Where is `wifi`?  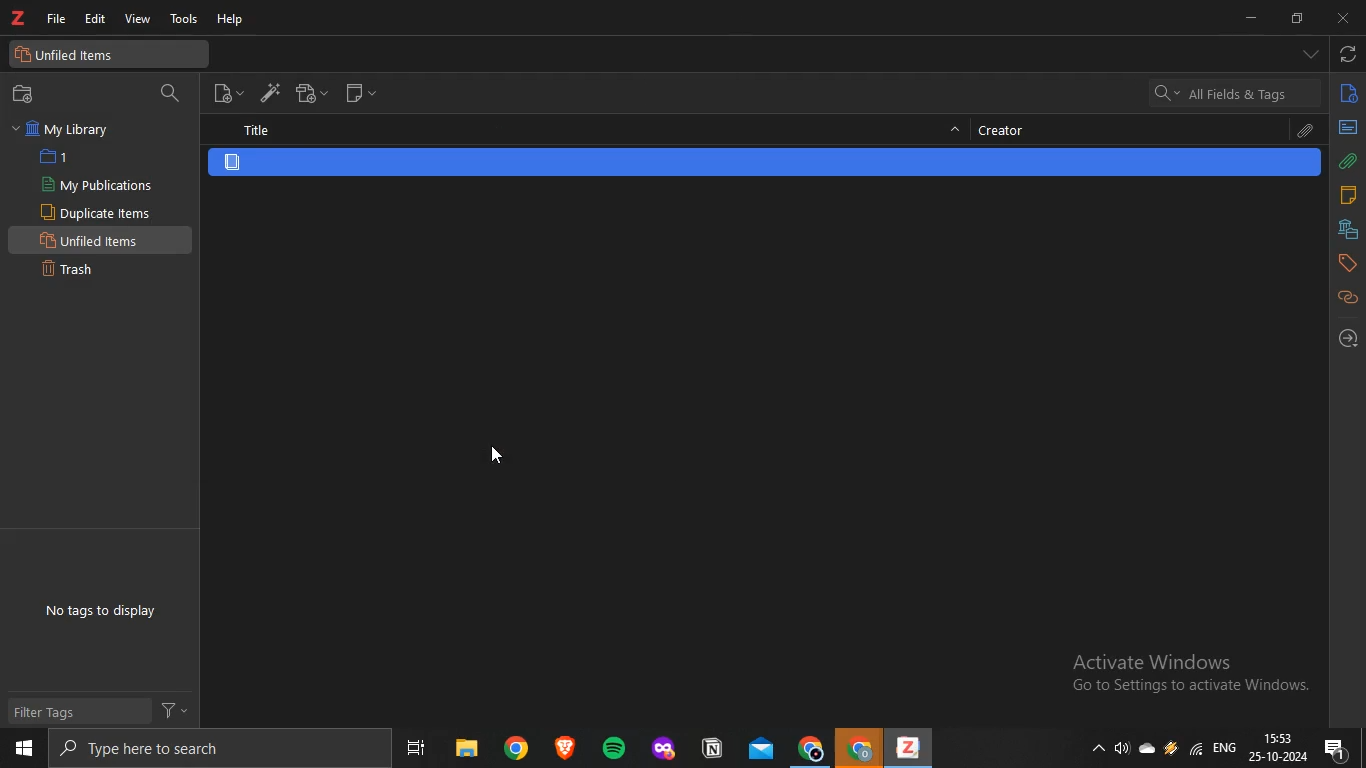
wifi is located at coordinates (1196, 748).